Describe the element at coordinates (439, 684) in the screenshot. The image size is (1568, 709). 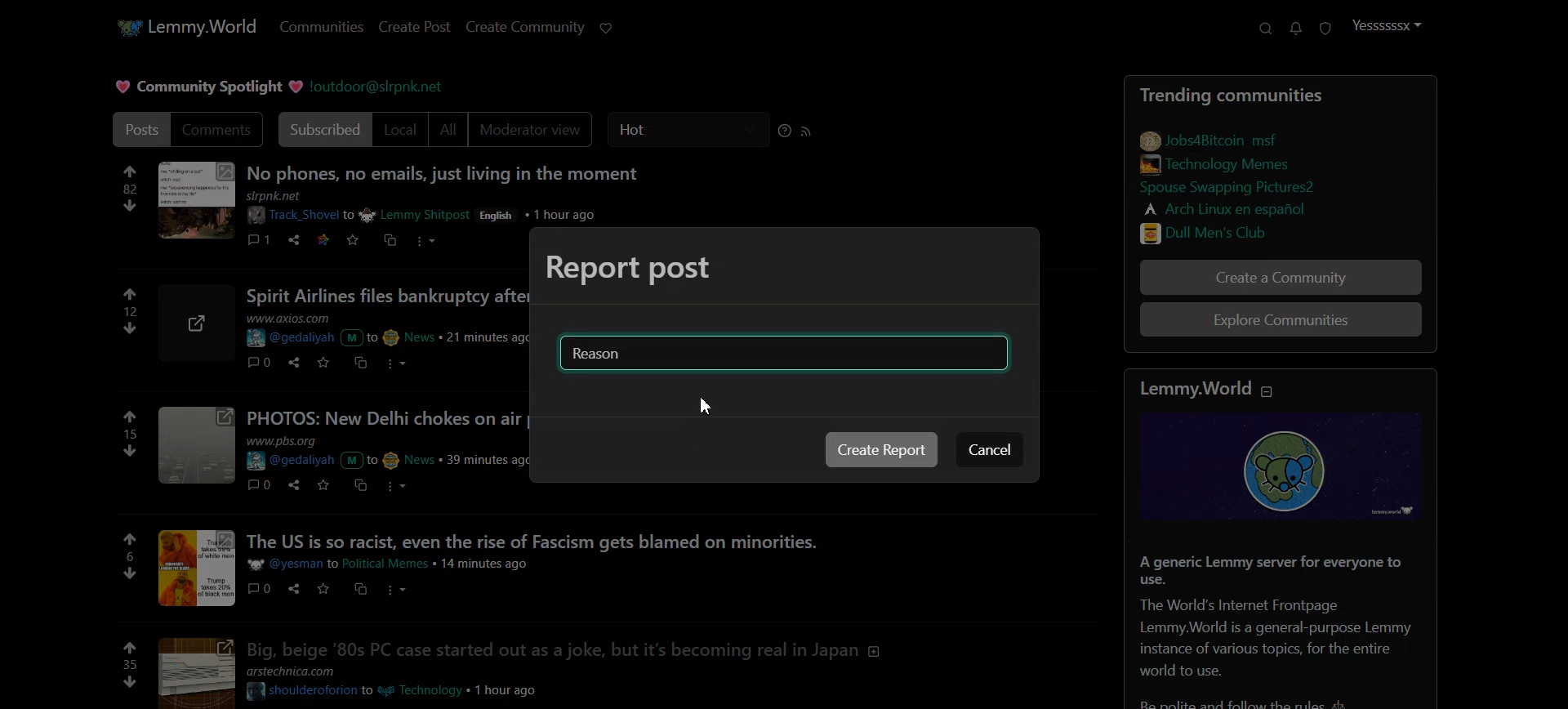
I see `post details` at that location.